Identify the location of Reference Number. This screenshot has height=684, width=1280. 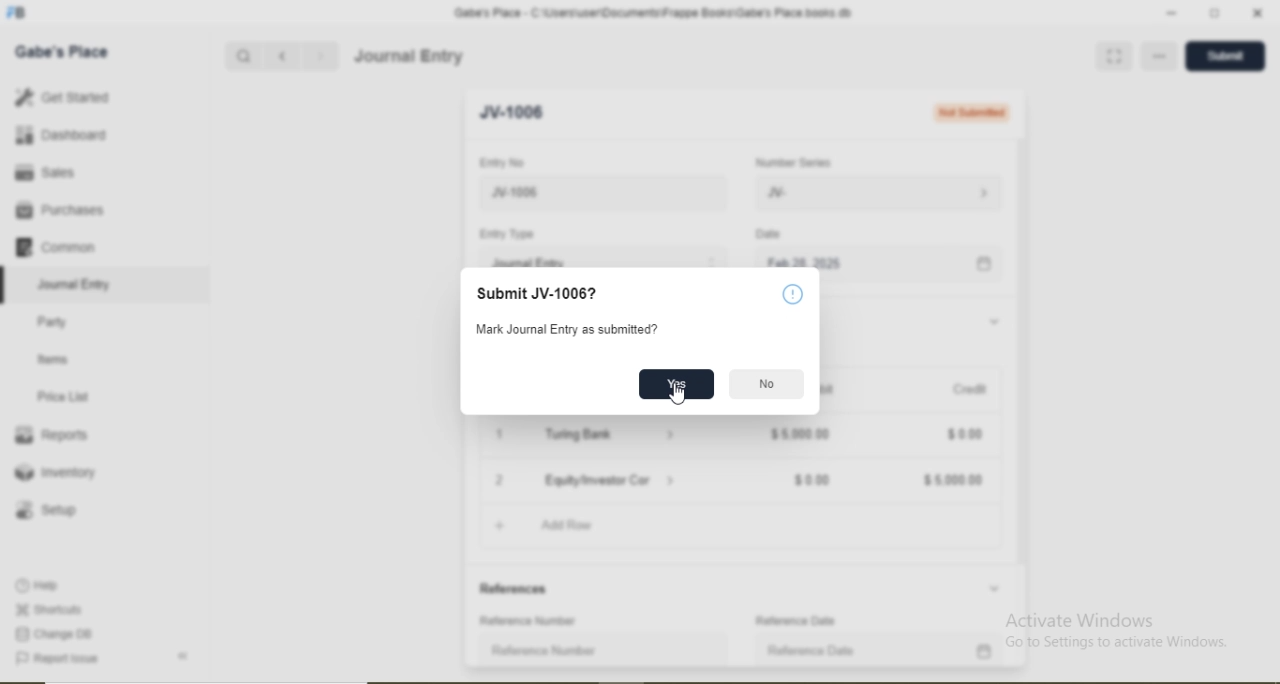
(544, 650).